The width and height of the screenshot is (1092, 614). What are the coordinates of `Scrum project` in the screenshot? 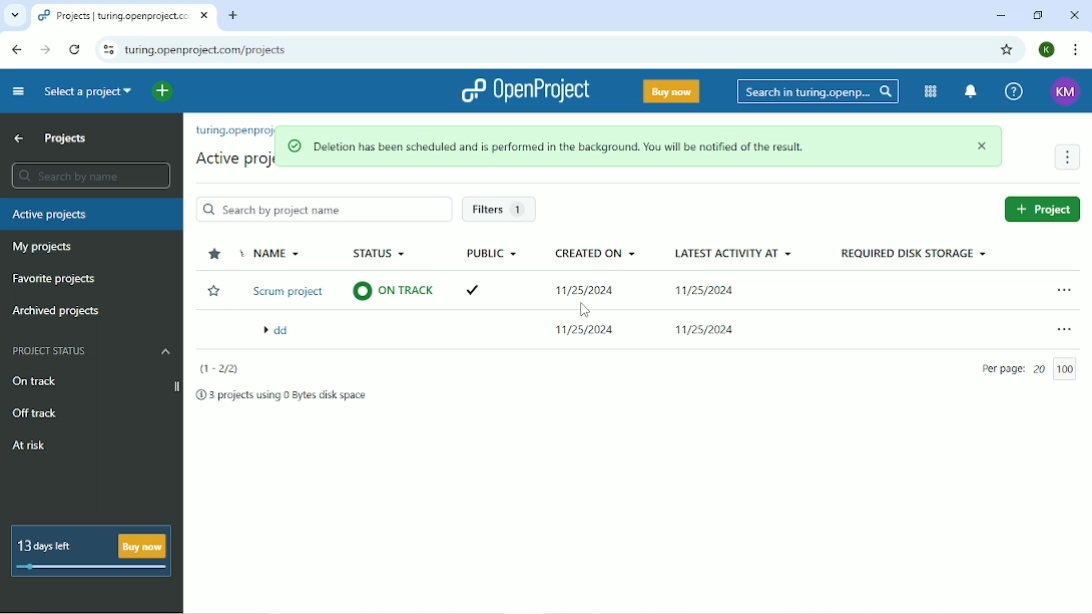 It's located at (285, 331).